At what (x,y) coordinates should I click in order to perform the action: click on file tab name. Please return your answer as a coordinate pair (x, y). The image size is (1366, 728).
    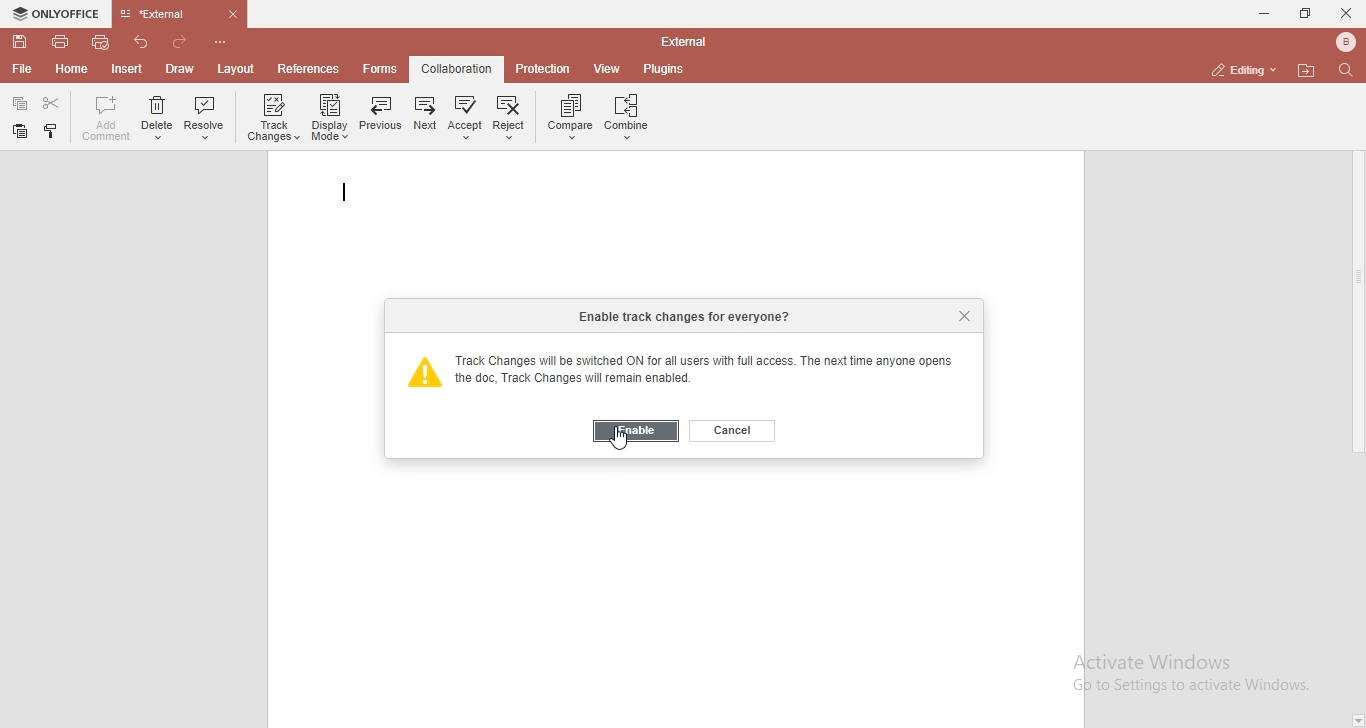
    Looking at the image, I should click on (182, 14).